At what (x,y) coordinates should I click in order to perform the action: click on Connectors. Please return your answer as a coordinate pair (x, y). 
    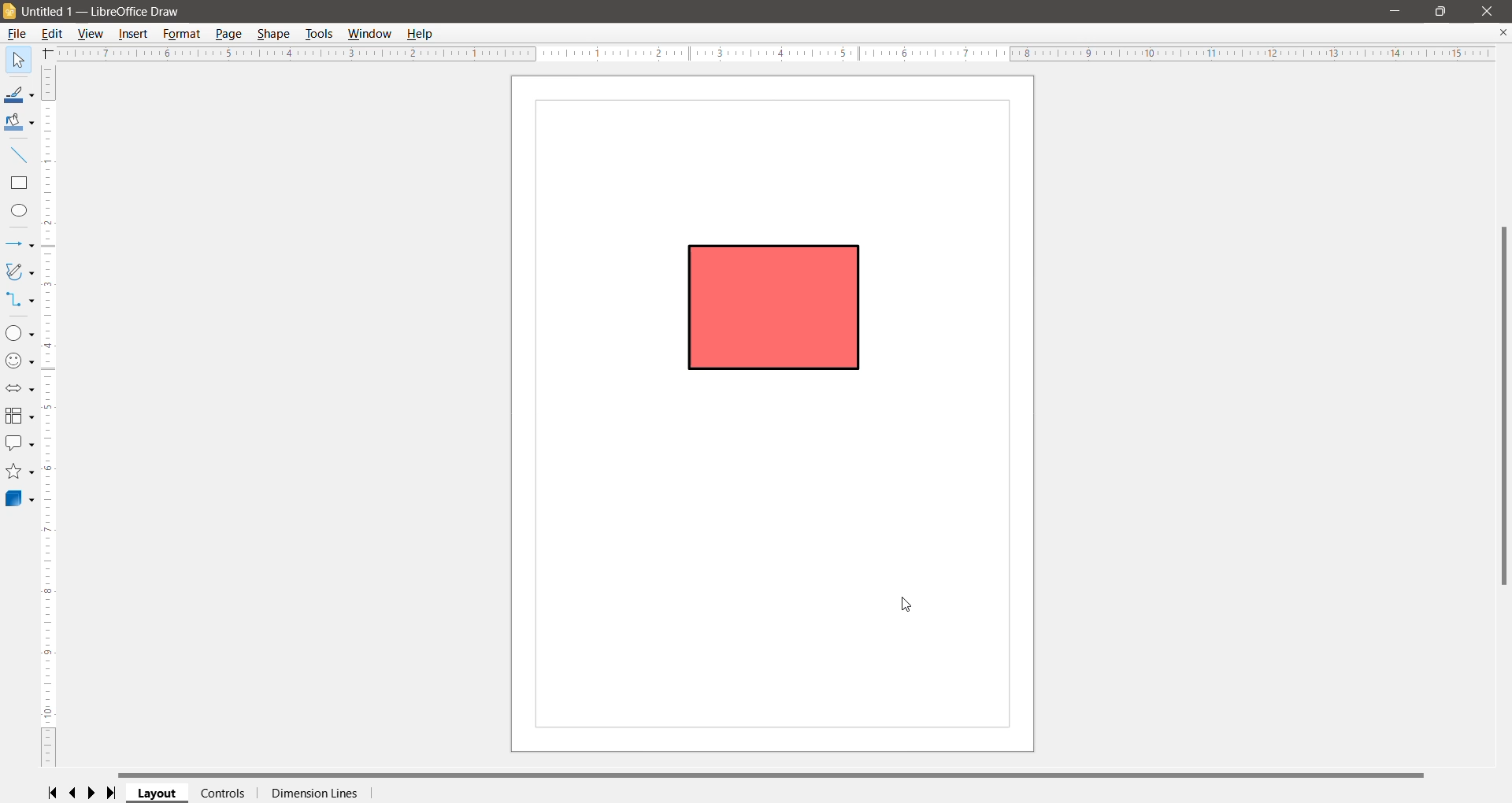
    Looking at the image, I should click on (20, 301).